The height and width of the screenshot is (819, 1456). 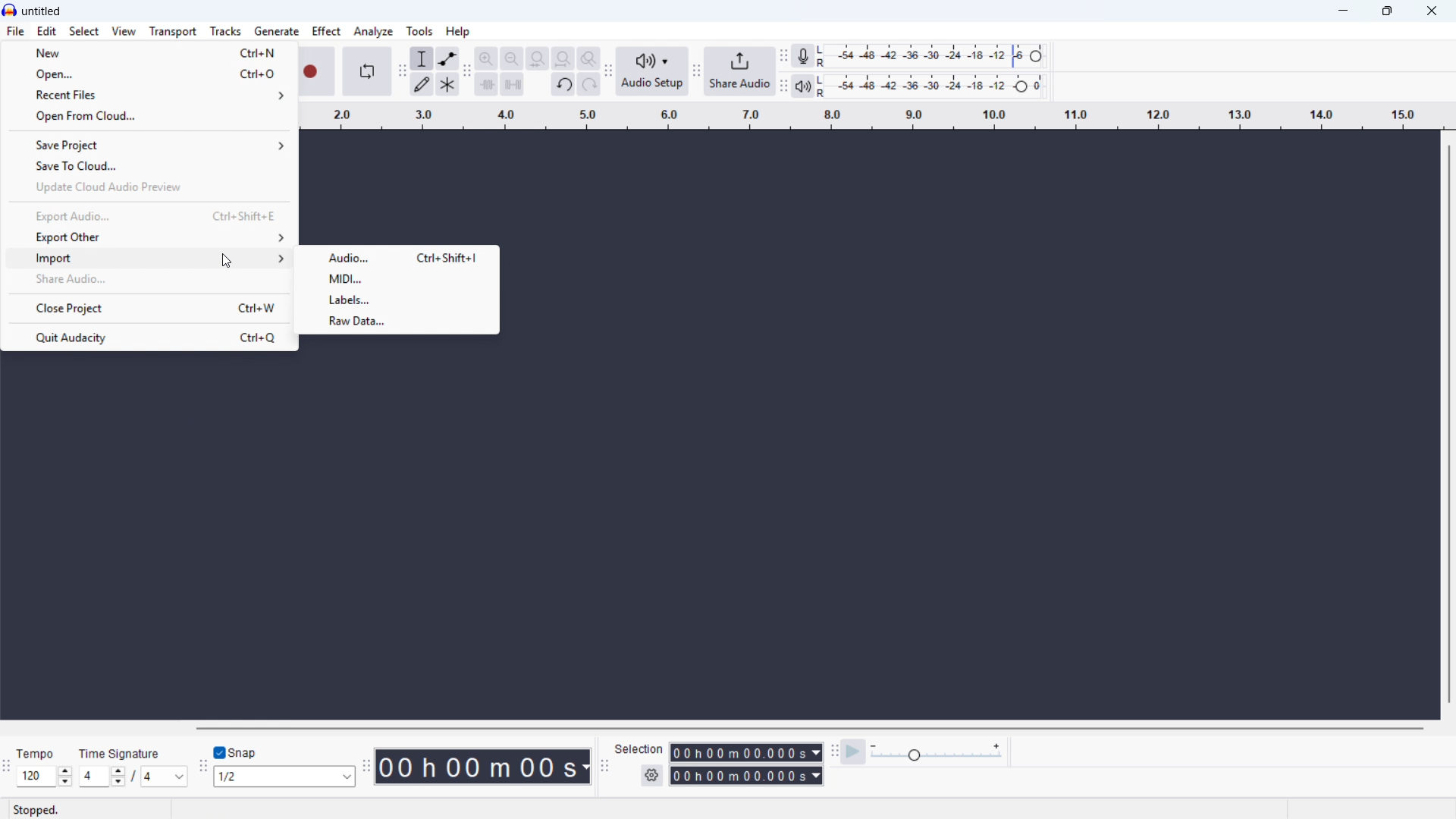 What do you see at coordinates (603, 766) in the screenshot?
I see `Selection toolbar ` at bounding box center [603, 766].